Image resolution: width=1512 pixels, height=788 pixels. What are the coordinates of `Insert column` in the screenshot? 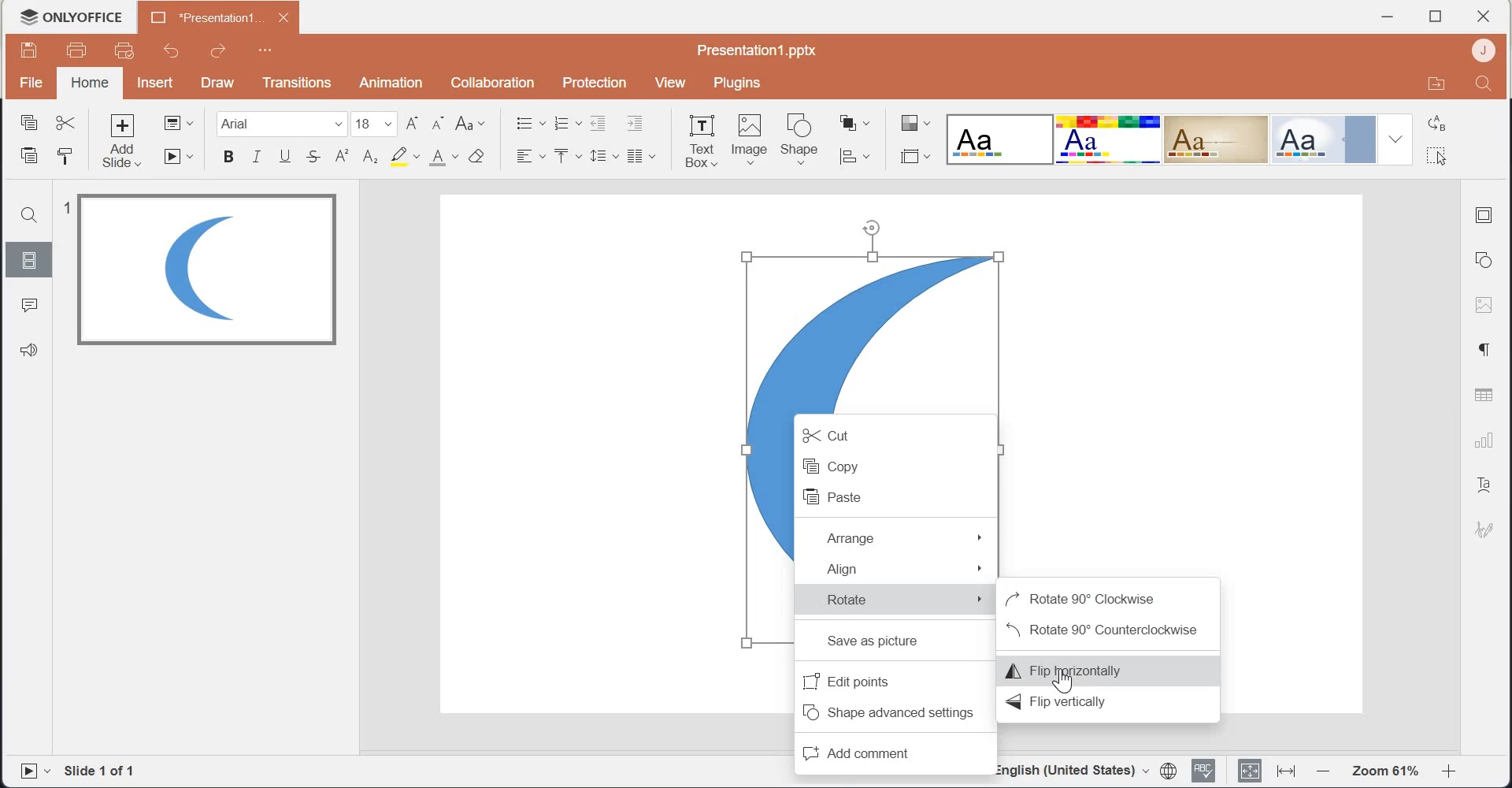 It's located at (643, 157).